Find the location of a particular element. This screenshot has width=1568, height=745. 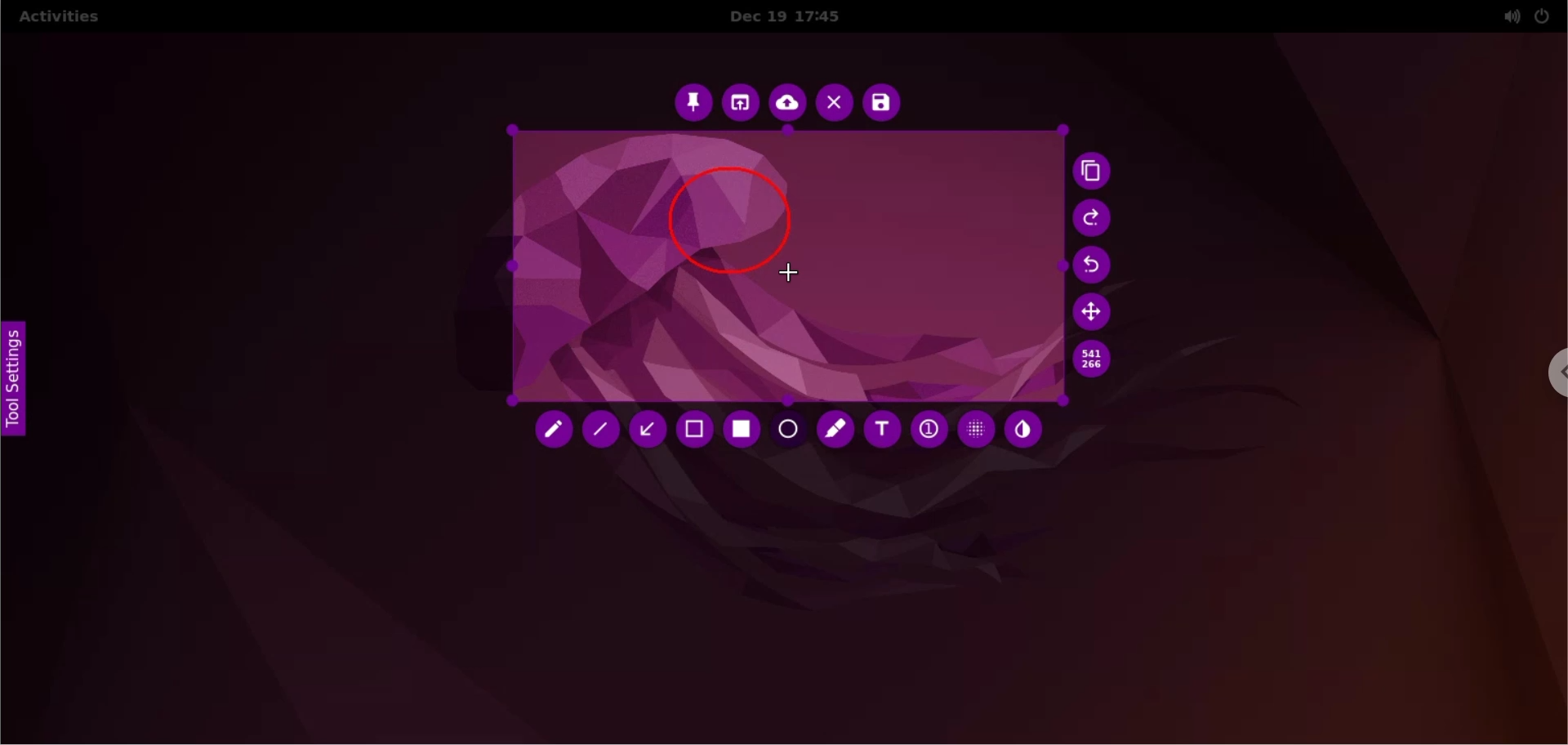

chrome options is located at coordinates (1548, 377).